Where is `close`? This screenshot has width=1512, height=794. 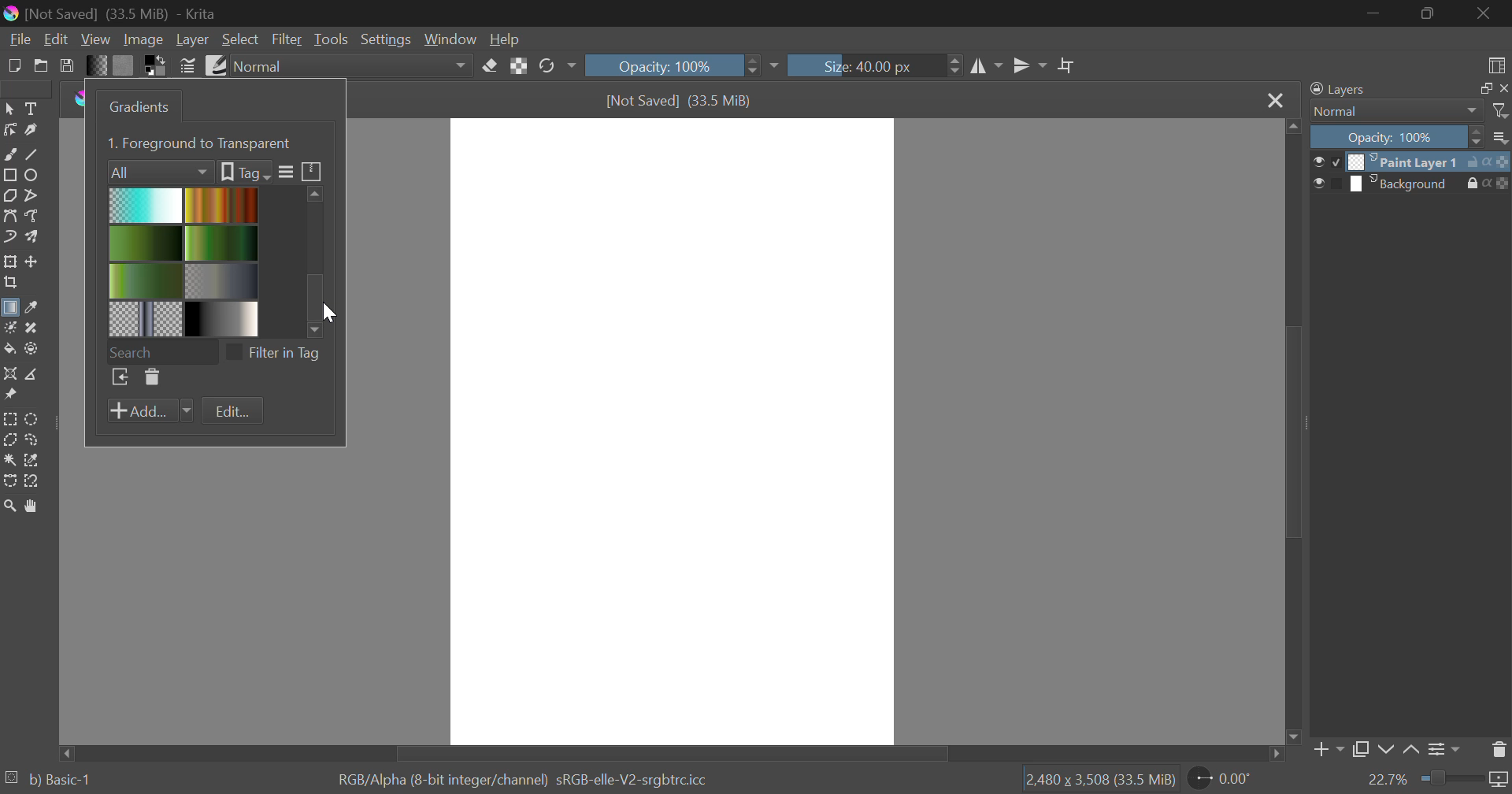
close is located at coordinates (1503, 88).